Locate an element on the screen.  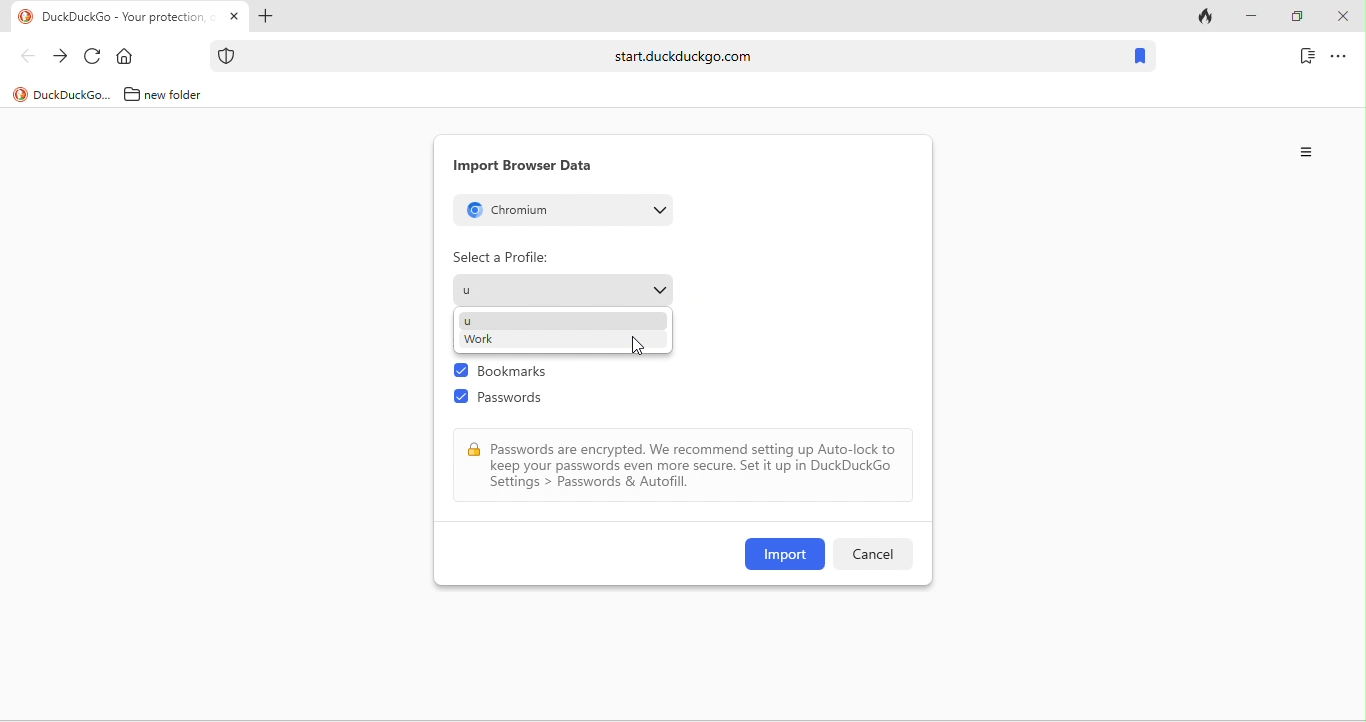
bookmarks is located at coordinates (1307, 55).